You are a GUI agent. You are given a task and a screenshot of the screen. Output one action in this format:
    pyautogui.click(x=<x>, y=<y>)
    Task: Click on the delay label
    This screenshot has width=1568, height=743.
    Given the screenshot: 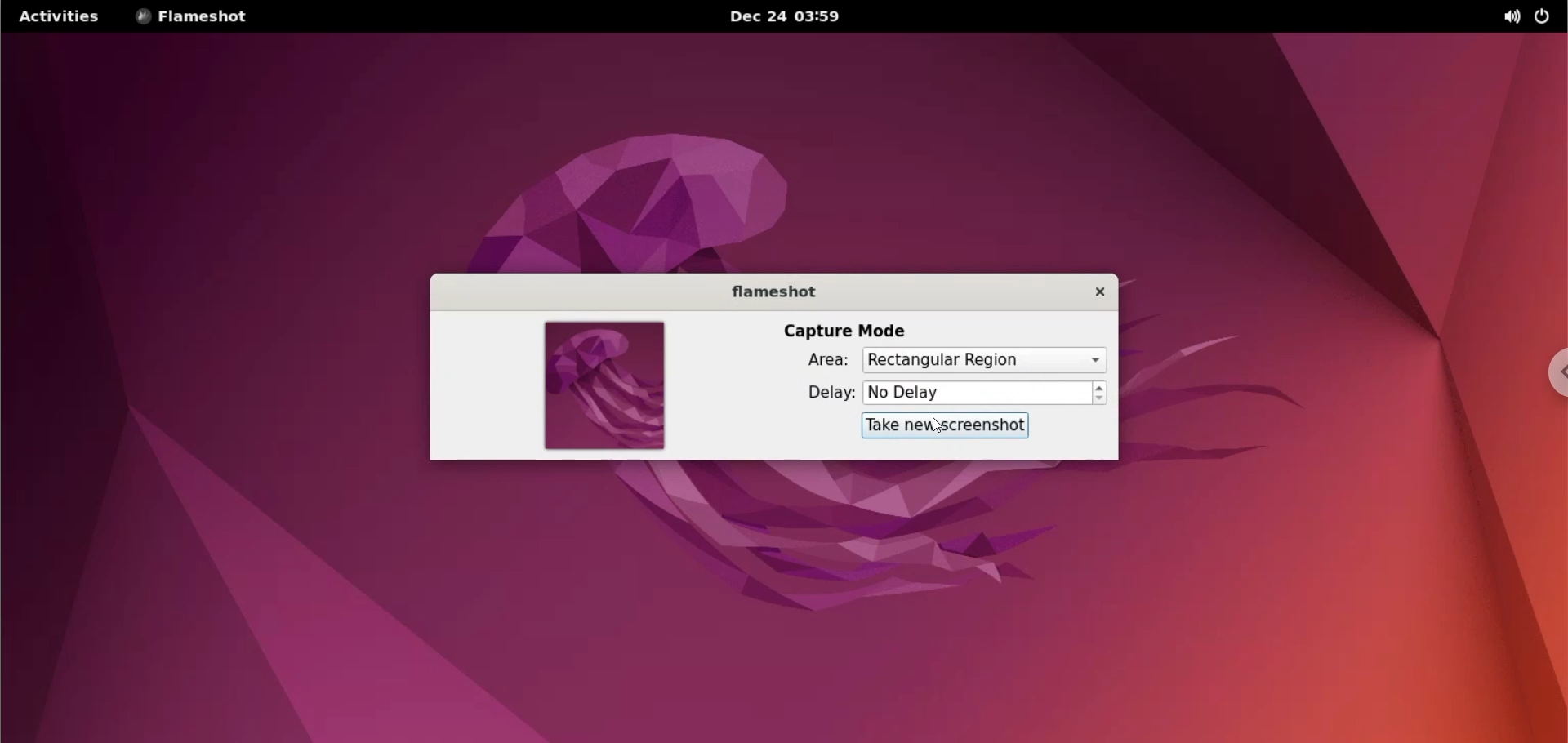 What is the action you would take?
    pyautogui.click(x=819, y=393)
    